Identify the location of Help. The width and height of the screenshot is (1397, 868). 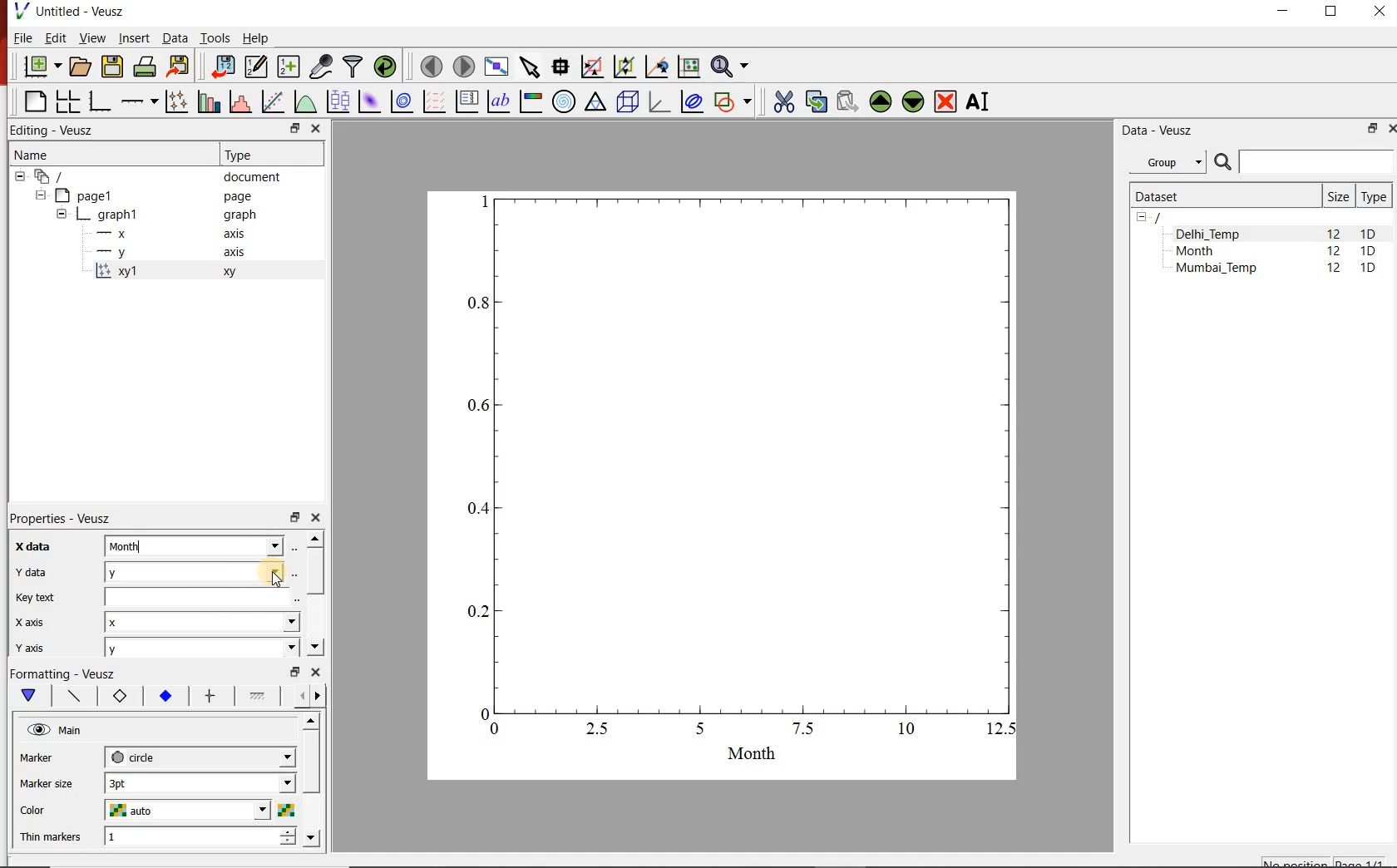
(256, 37).